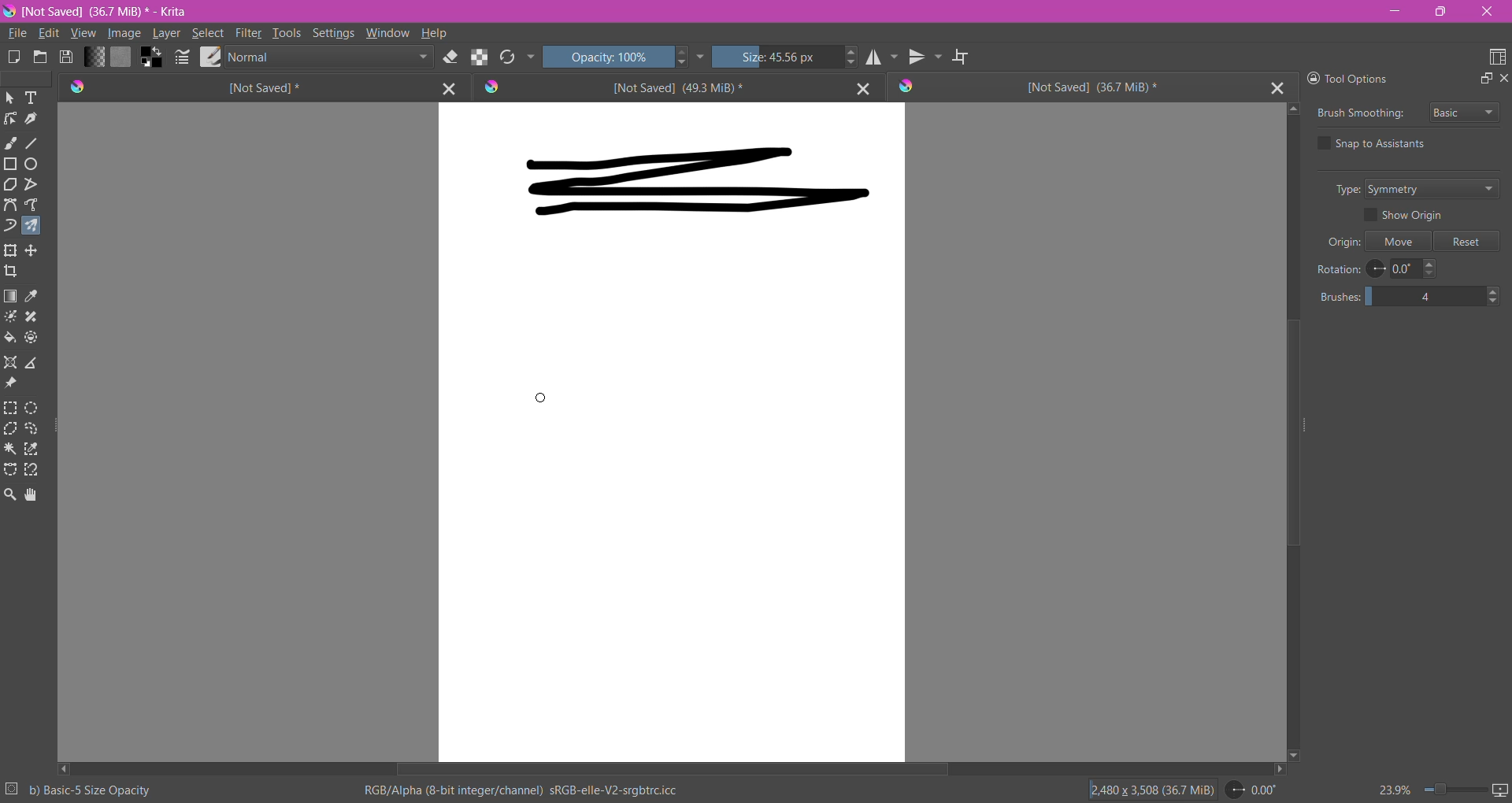 The image size is (1512, 803). What do you see at coordinates (124, 35) in the screenshot?
I see `Image` at bounding box center [124, 35].